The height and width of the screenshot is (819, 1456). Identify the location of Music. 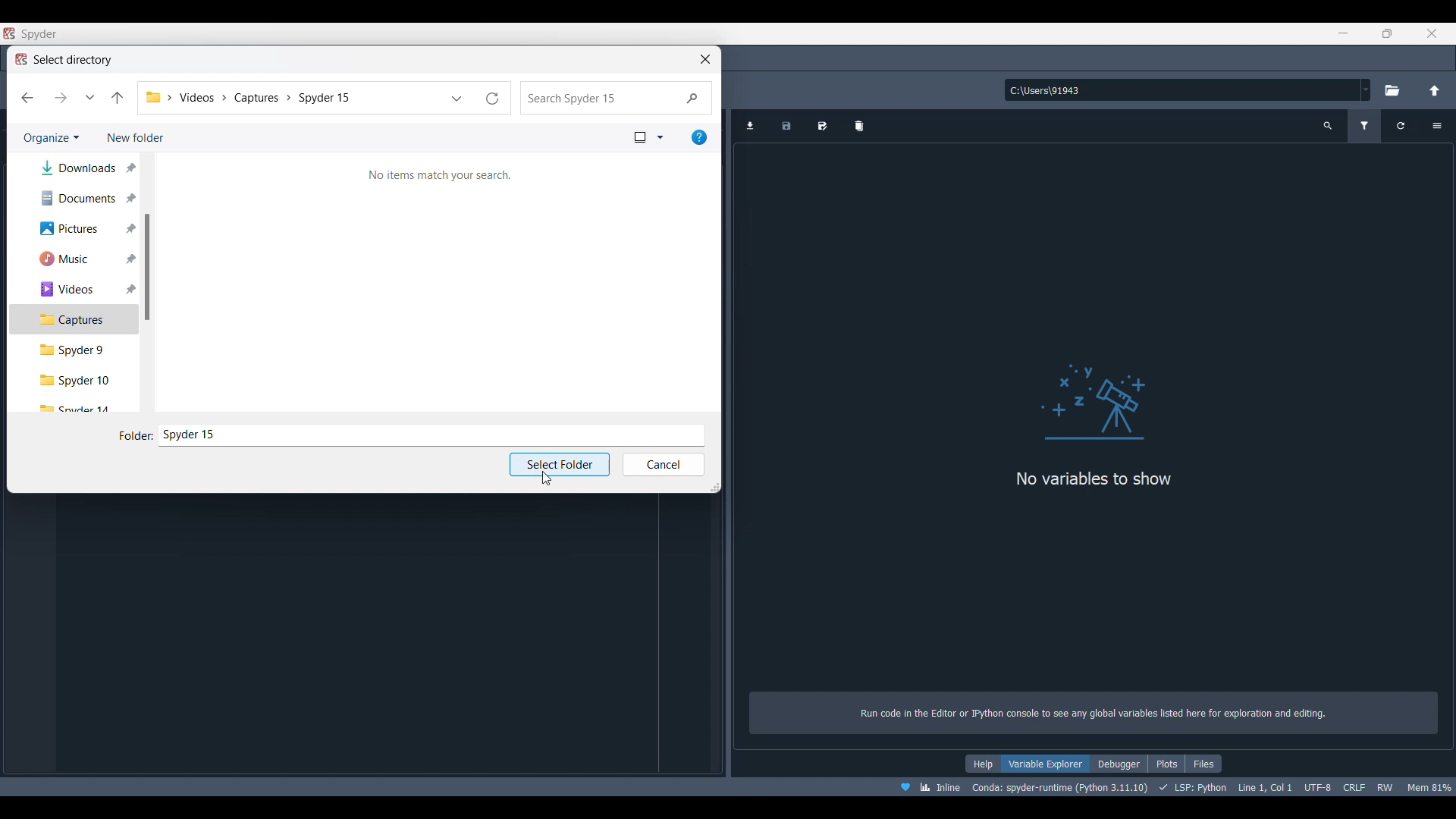
(79, 259).